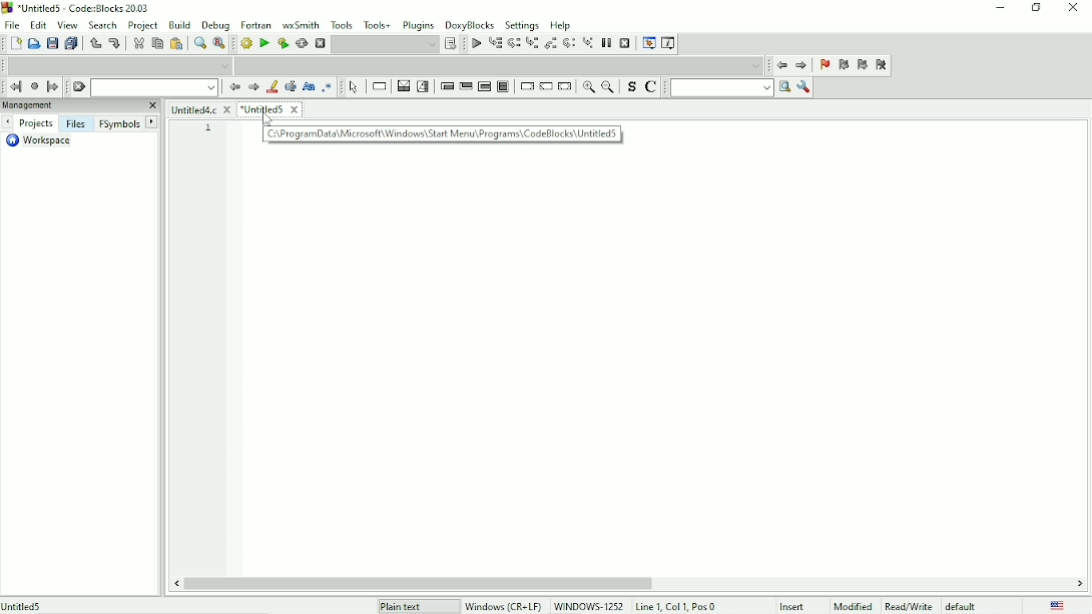 Image resolution: width=1092 pixels, height=614 pixels. What do you see at coordinates (272, 86) in the screenshot?
I see `Highlight` at bounding box center [272, 86].